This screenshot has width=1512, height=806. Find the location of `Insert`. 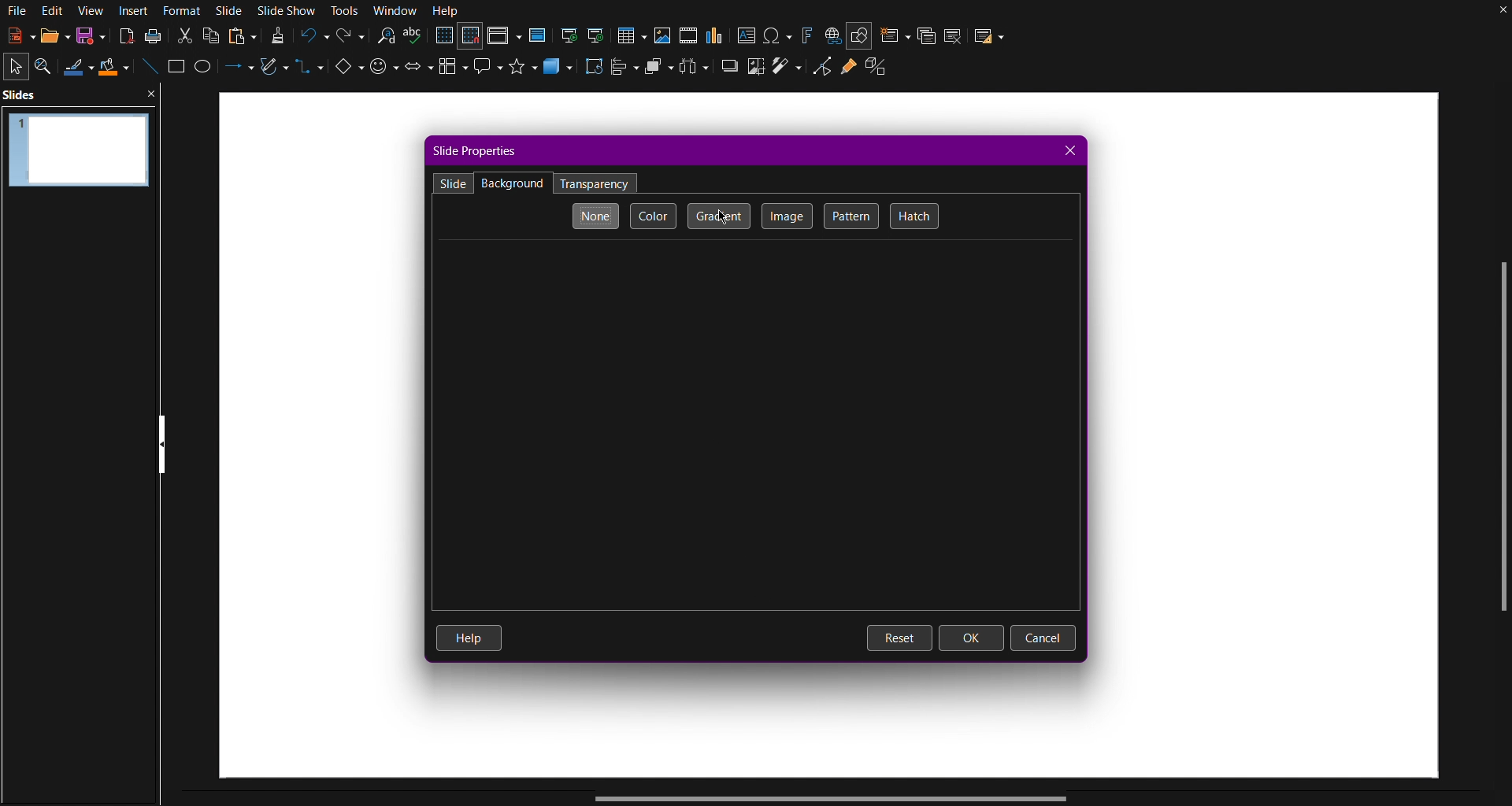

Insert is located at coordinates (135, 10).